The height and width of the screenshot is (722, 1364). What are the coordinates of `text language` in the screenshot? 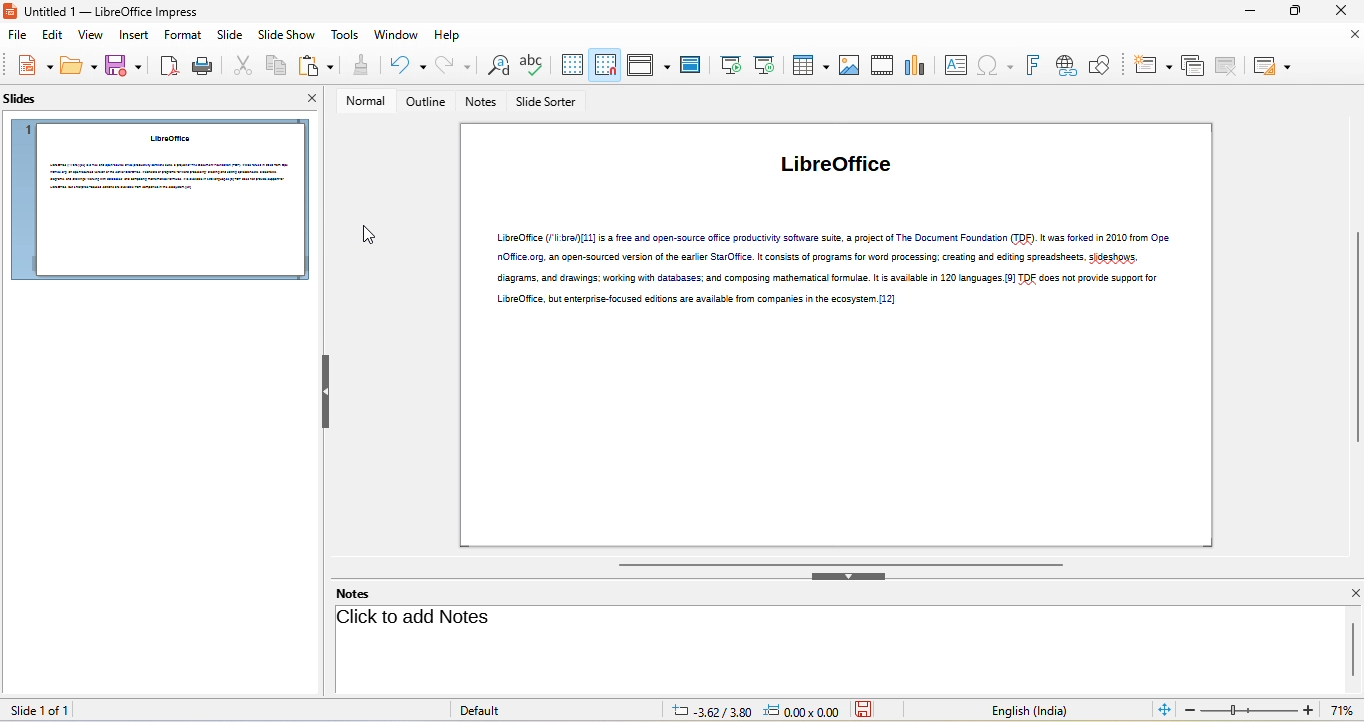 It's located at (1028, 709).